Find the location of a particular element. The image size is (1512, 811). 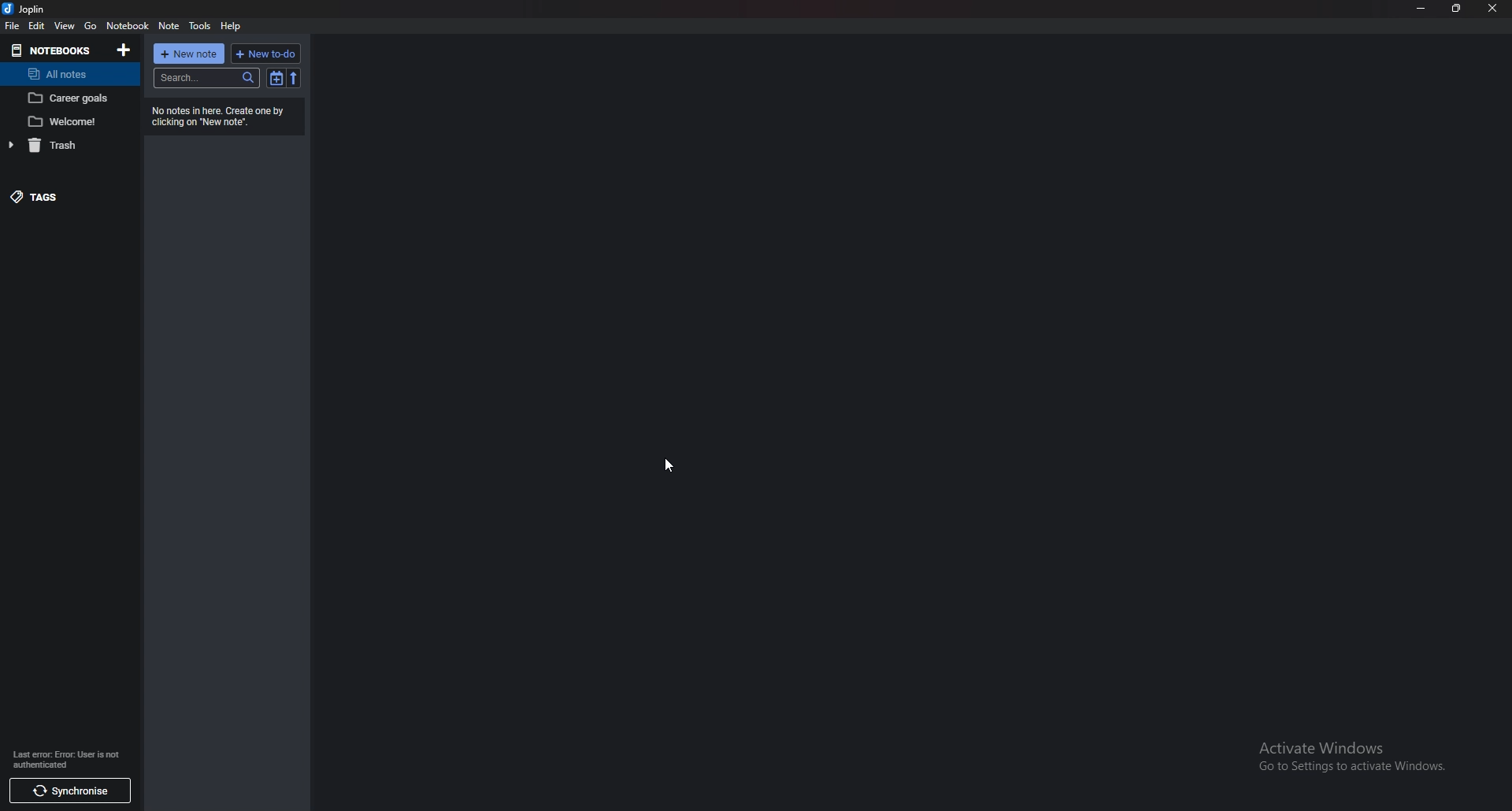

new note is located at coordinates (190, 54).